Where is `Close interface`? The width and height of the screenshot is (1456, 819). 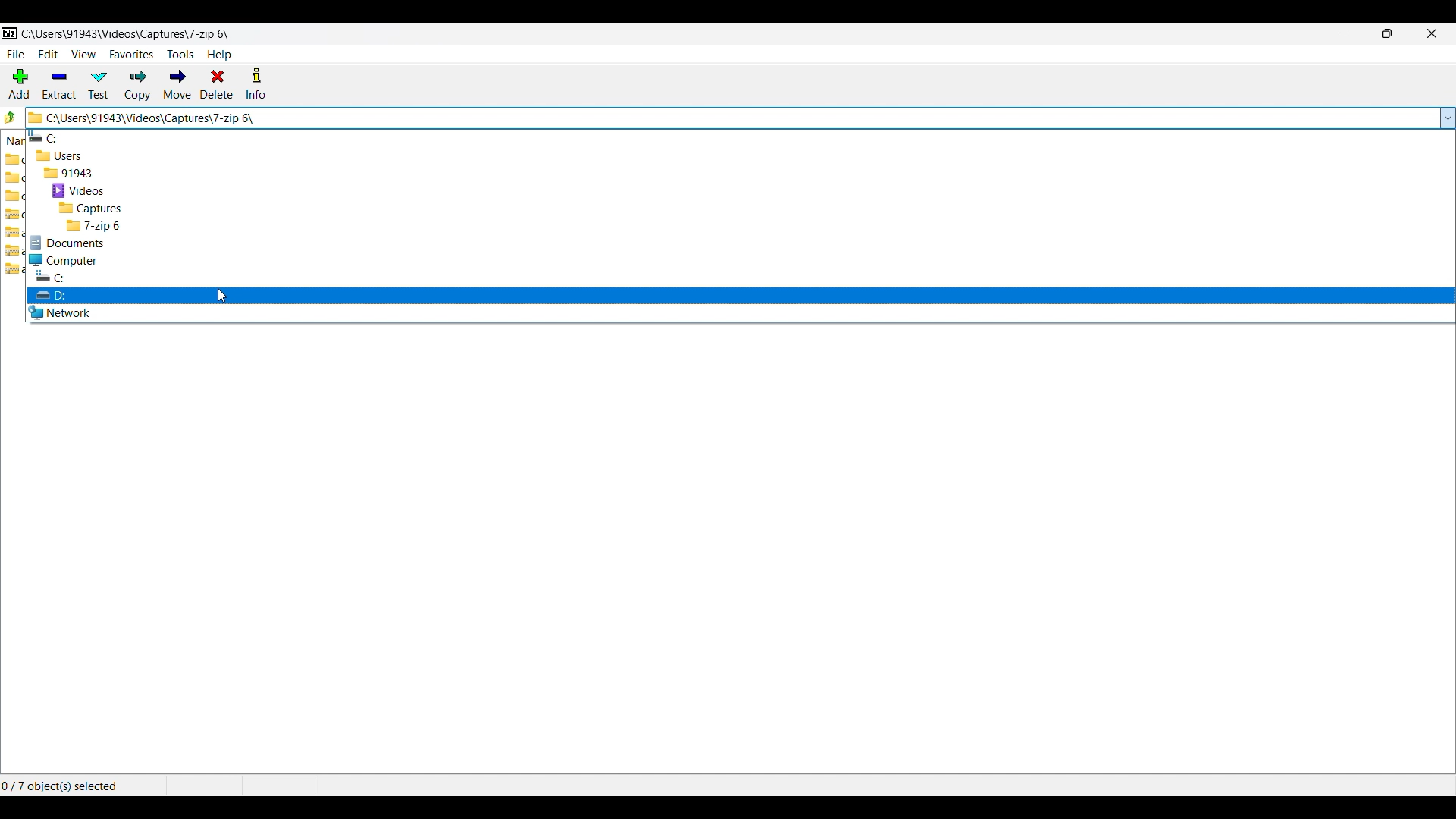
Close interface is located at coordinates (1432, 33).